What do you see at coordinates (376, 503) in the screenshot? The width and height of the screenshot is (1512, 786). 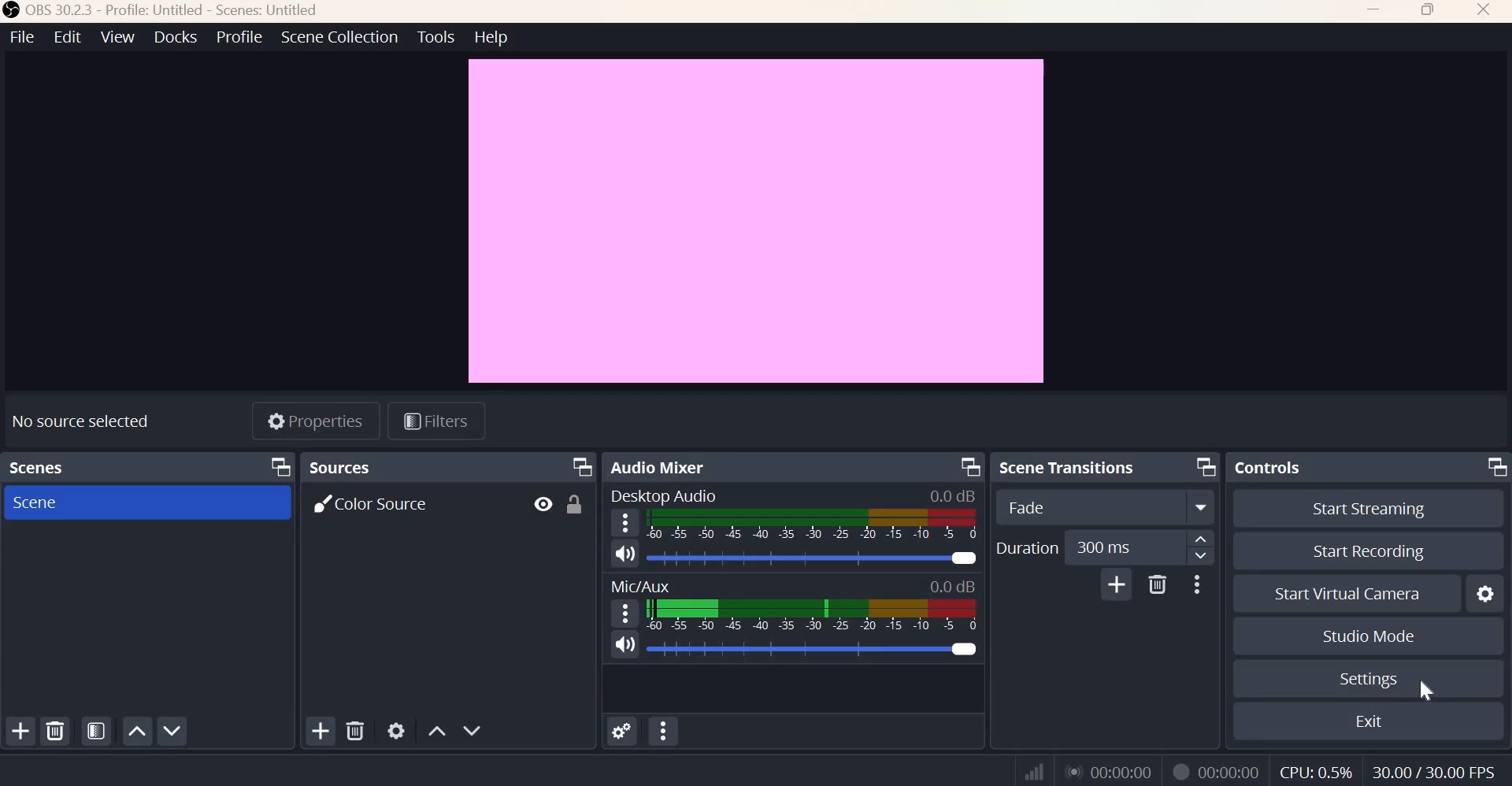 I see `Color source` at bounding box center [376, 503].